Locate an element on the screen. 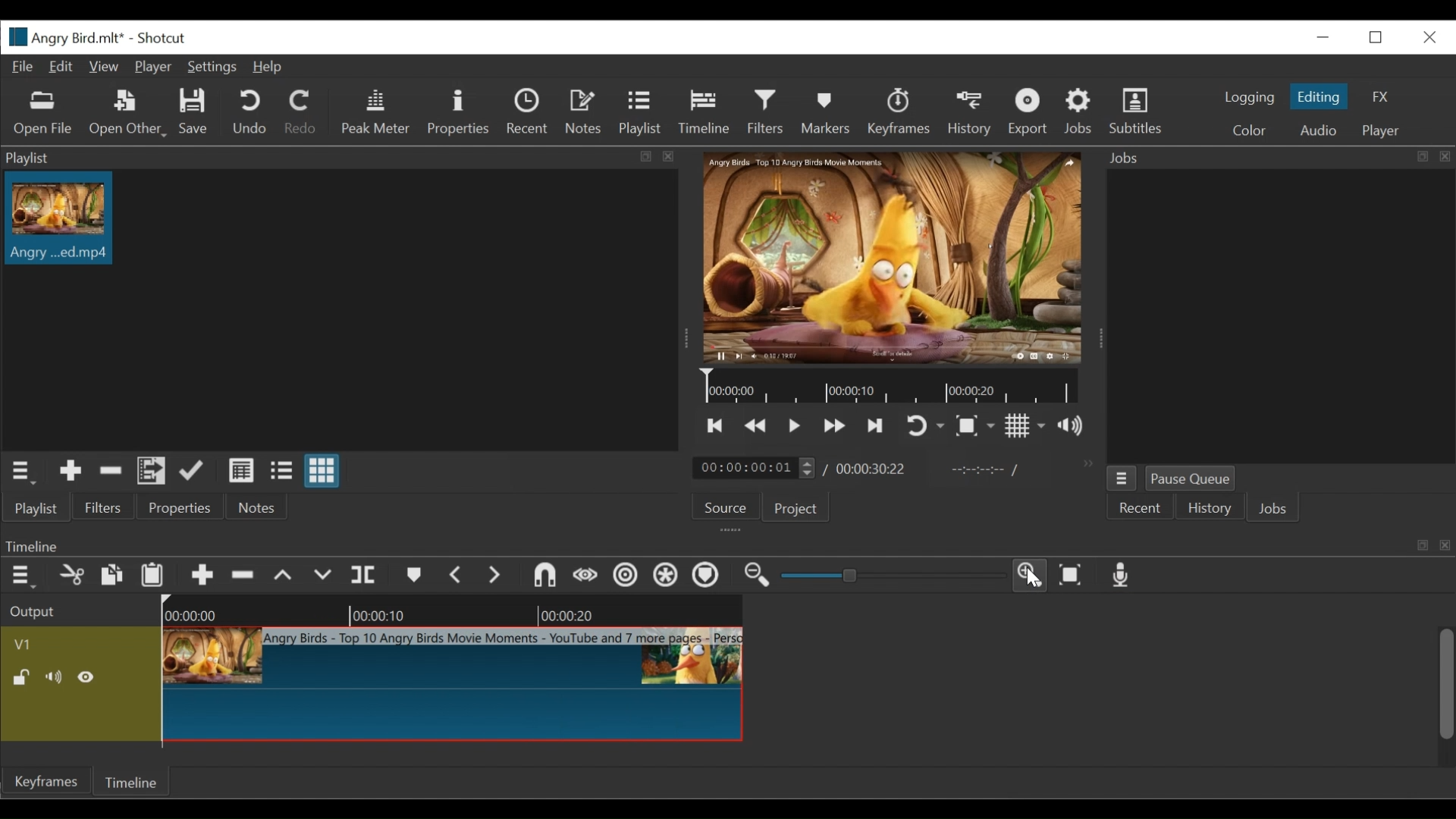 This screenshot has width=1456, height=819. Recent is located at coordinates (1143, 508).